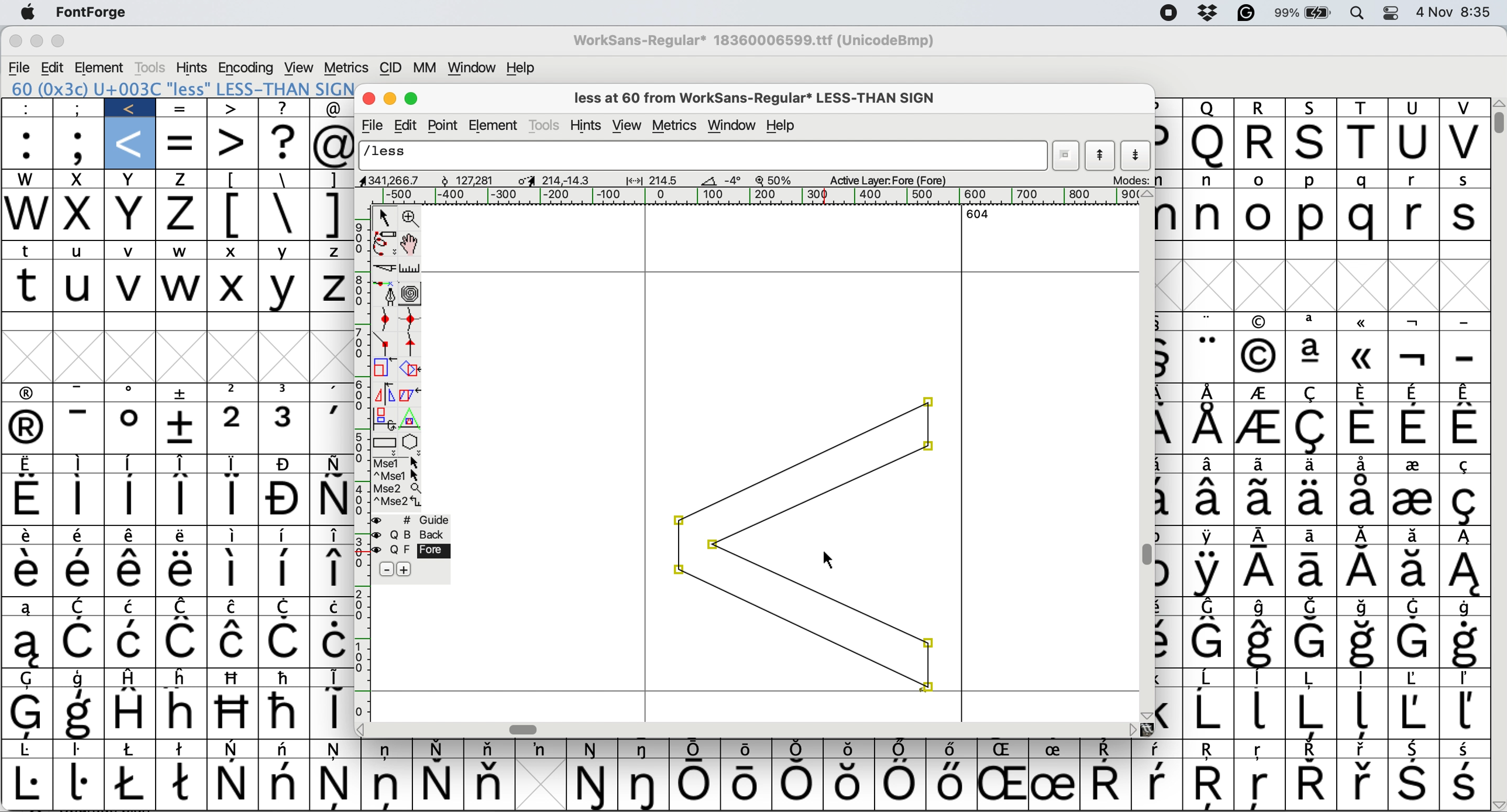 This screenshot has width=1507, height=812. What do you see at coordinates (12, 42) in the screenshot?
I see `close` at bounding box center [12, 42].